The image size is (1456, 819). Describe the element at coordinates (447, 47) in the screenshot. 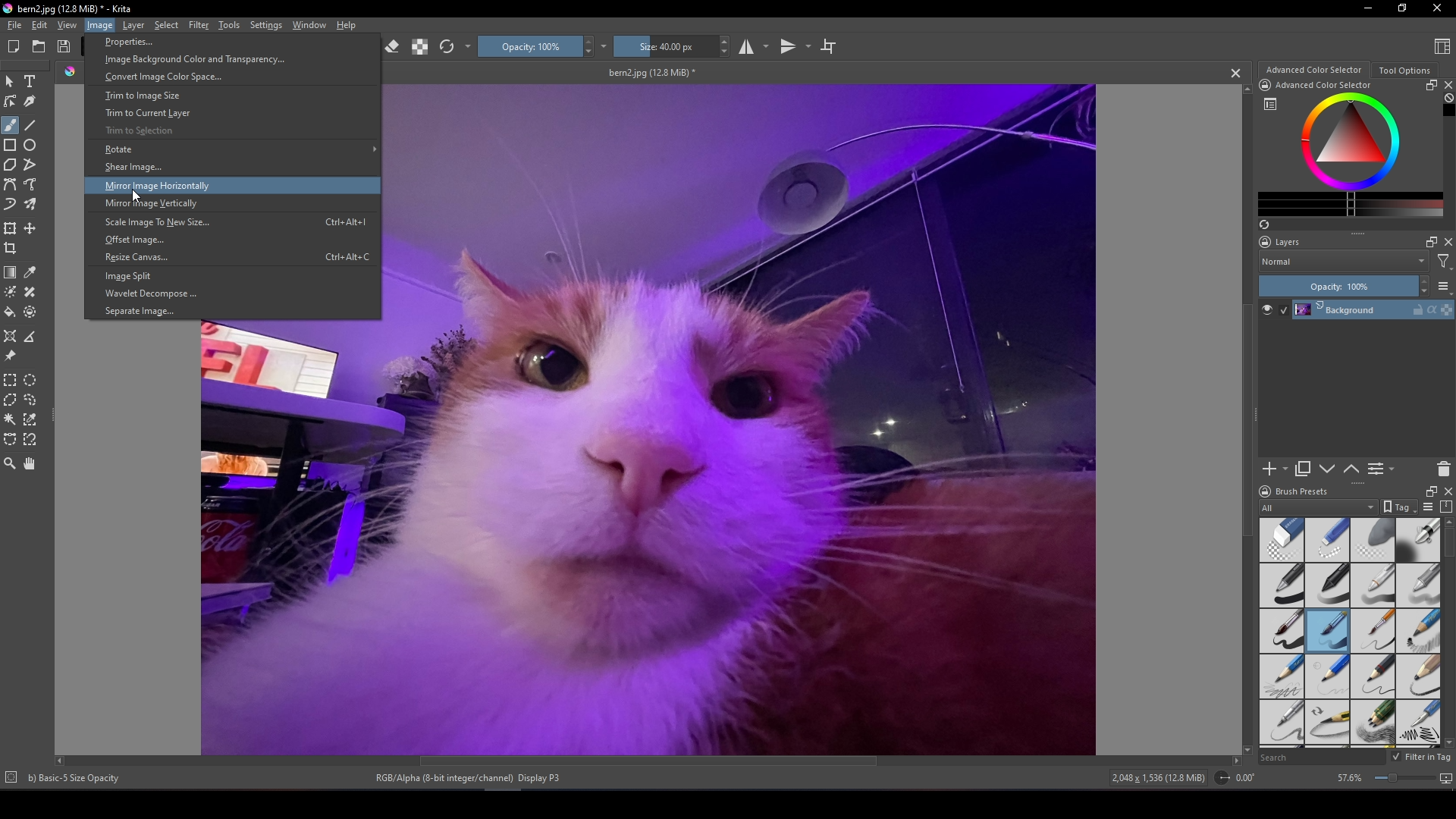

I see `Reload preset` at that location.